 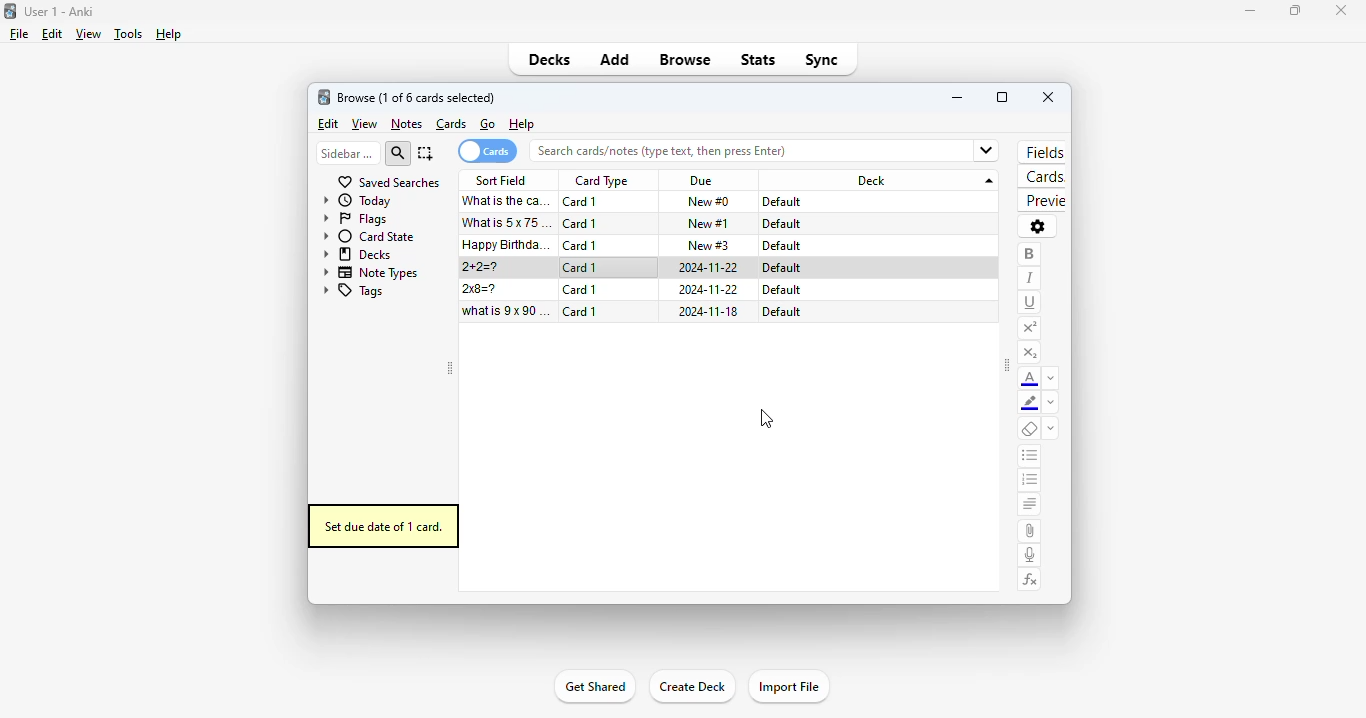 I want to click on remove formatting, so click(x=1030, y=430).